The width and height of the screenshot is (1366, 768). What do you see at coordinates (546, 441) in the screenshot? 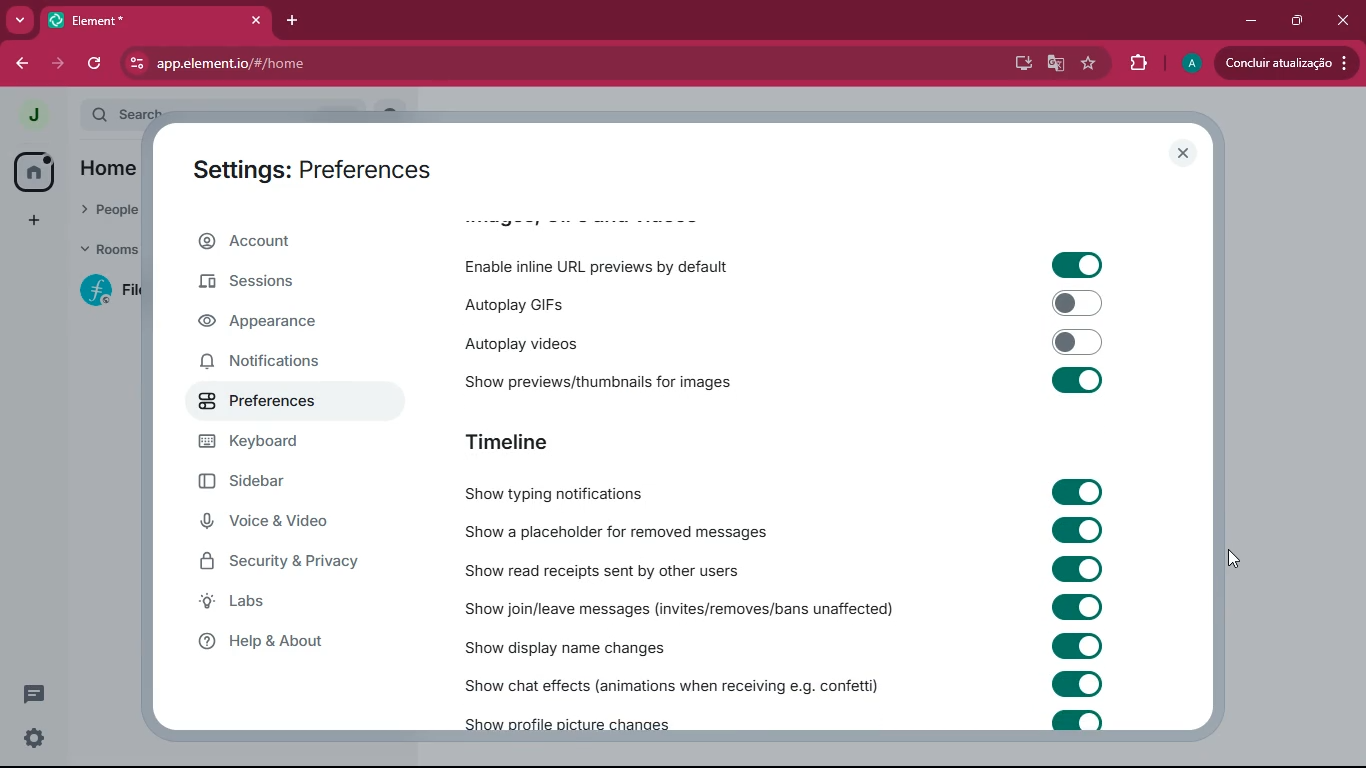
I see `timeline` at bounding box center [546, 441].